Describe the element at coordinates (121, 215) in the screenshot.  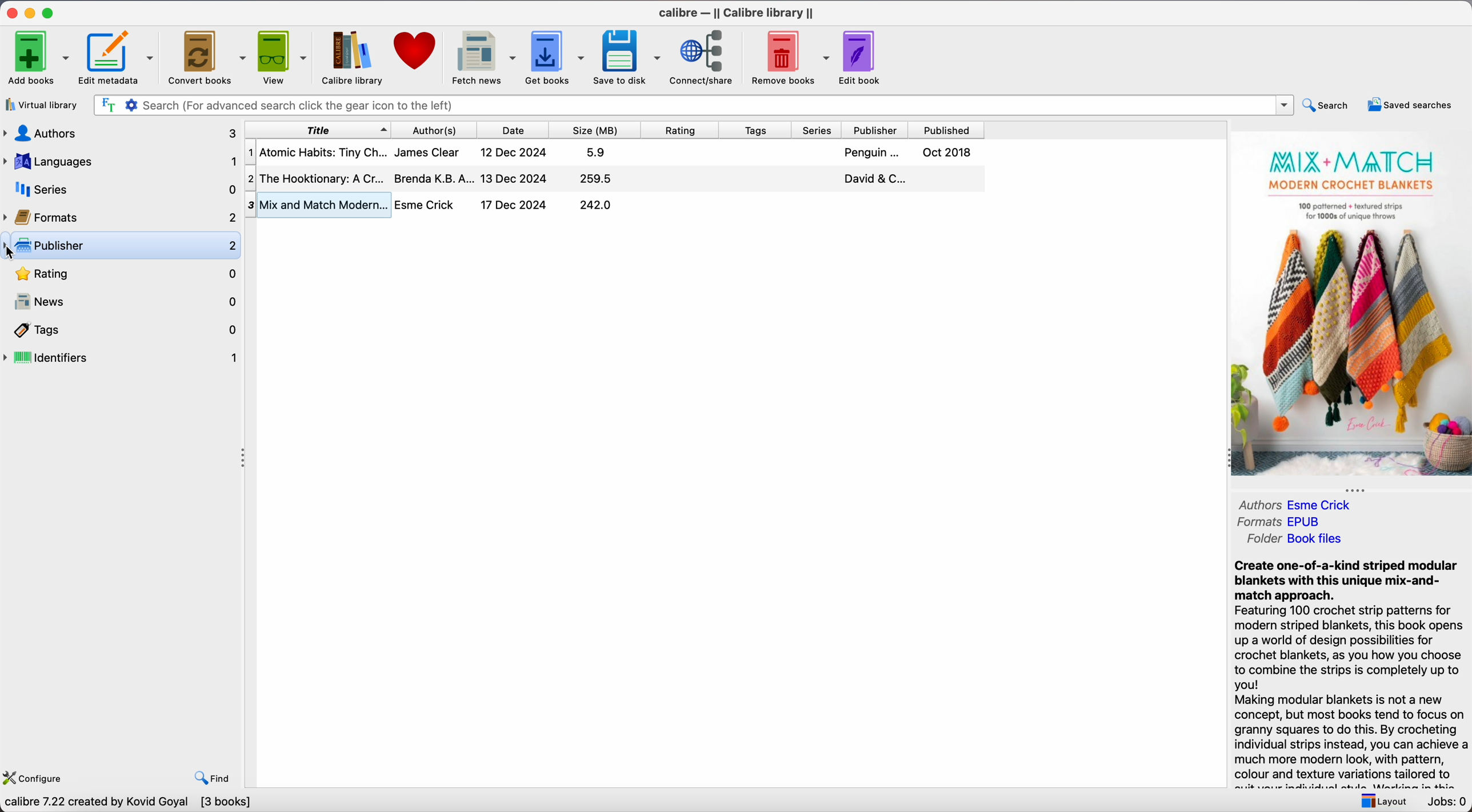
I see `formats` at that location.